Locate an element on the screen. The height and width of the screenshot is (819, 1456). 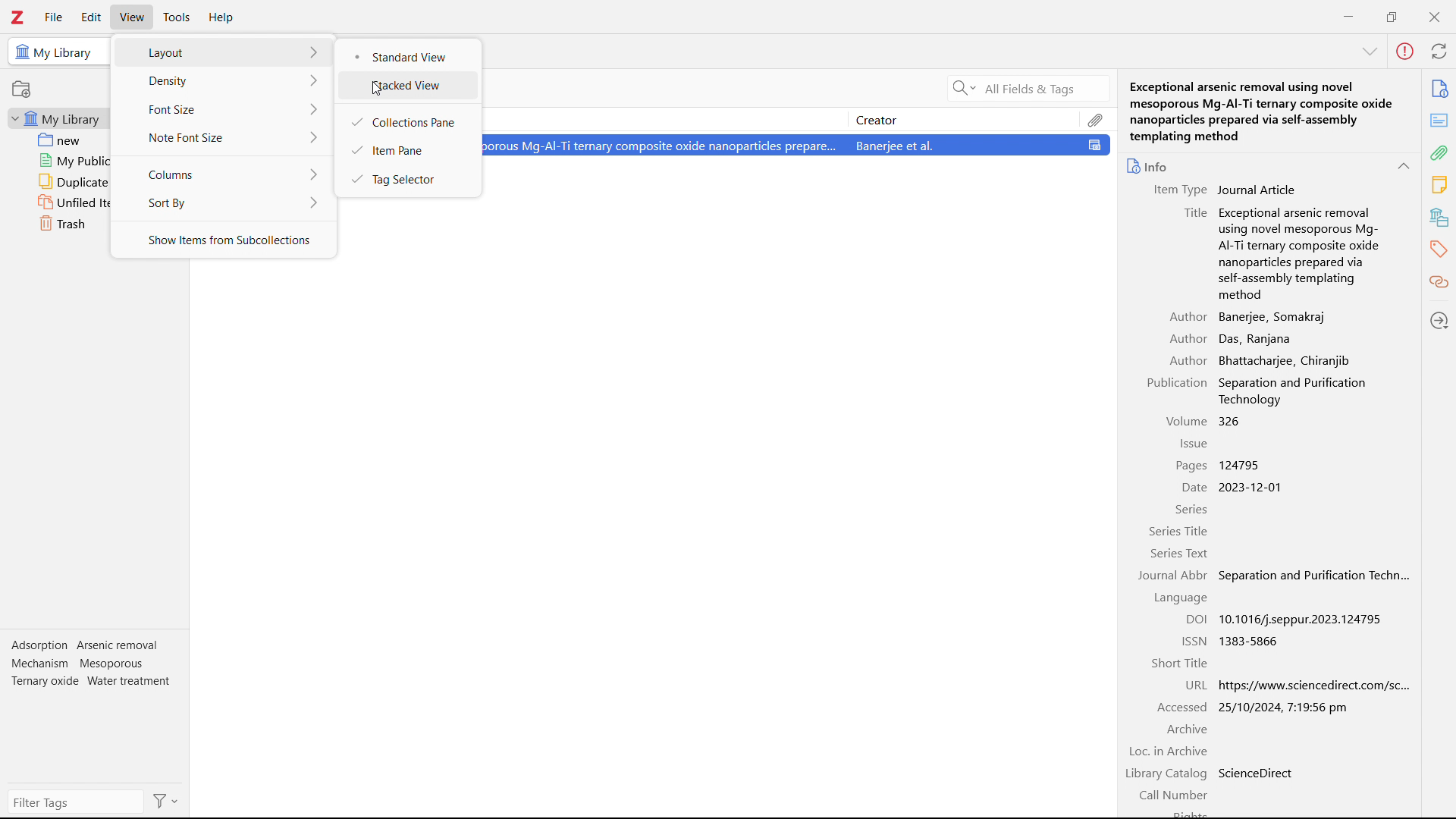
Series Title is located at coordinates (1178, 530).